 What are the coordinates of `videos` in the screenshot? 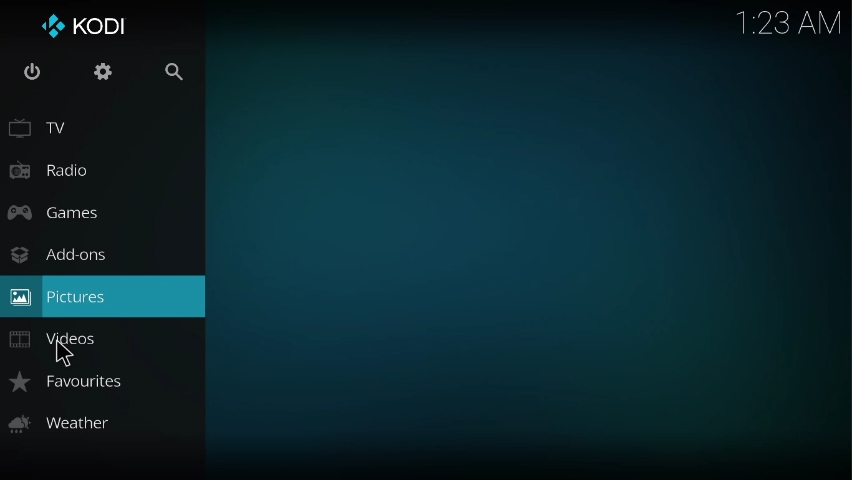 It's located at (56, 340).